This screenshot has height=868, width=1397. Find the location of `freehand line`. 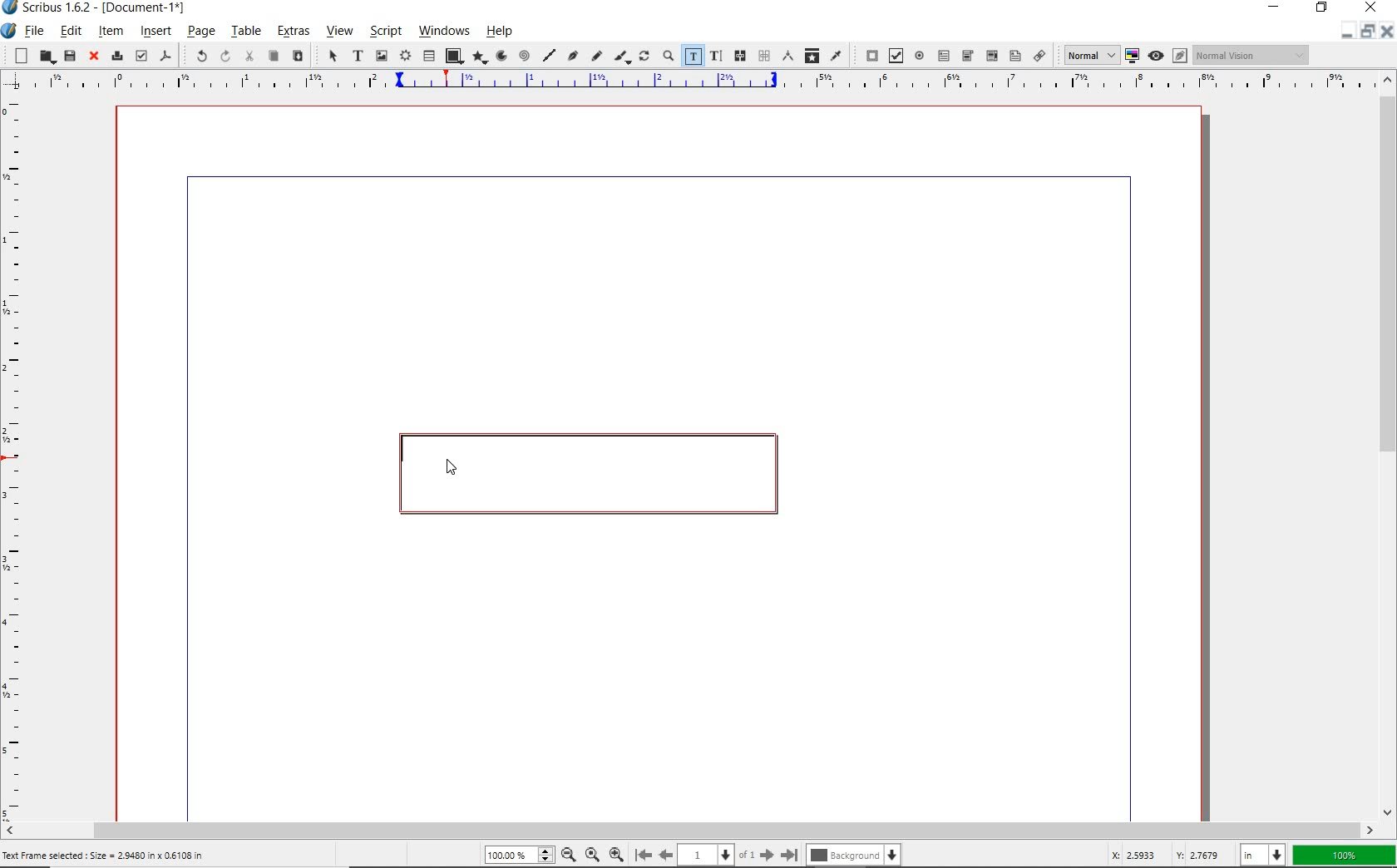

freehand line is located at coordinates (595, 57).